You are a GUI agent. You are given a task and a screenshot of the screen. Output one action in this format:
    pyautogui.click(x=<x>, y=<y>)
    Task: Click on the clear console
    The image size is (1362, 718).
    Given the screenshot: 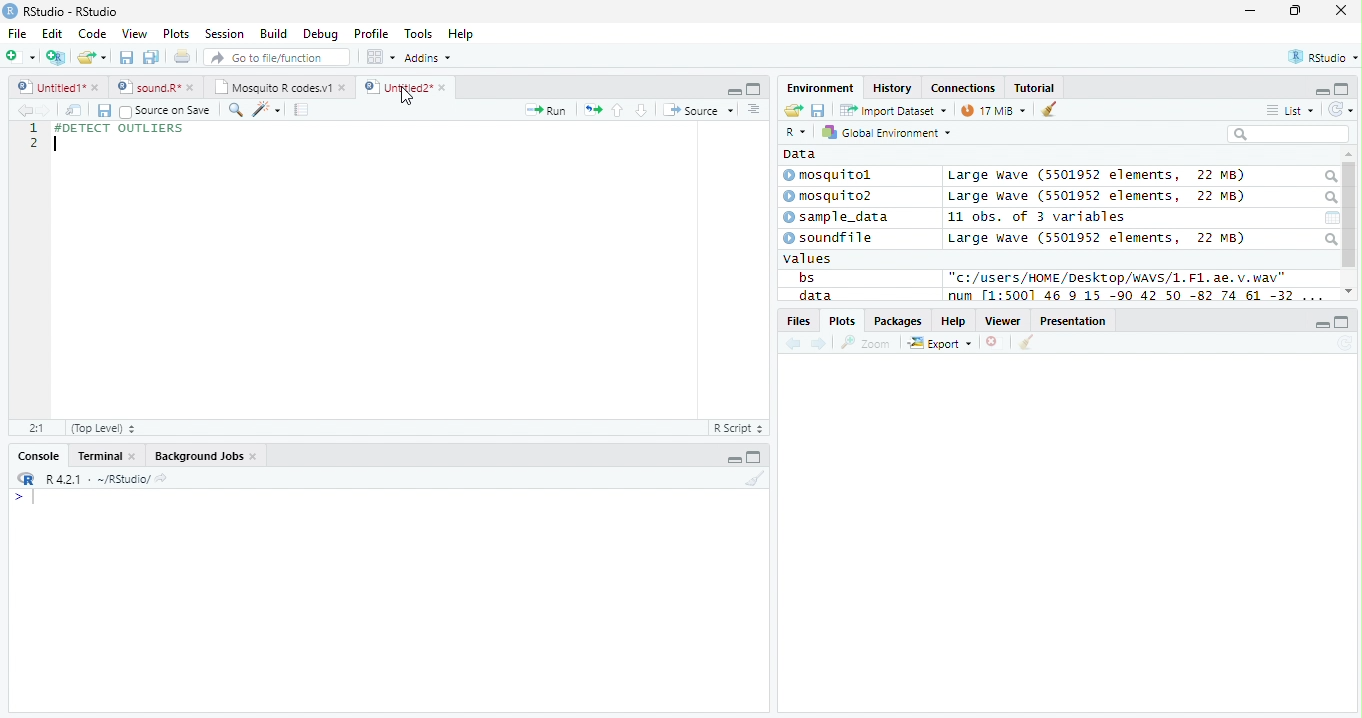 What is the action you would take?
    pyautogui.click(x=1049, y=108)
    